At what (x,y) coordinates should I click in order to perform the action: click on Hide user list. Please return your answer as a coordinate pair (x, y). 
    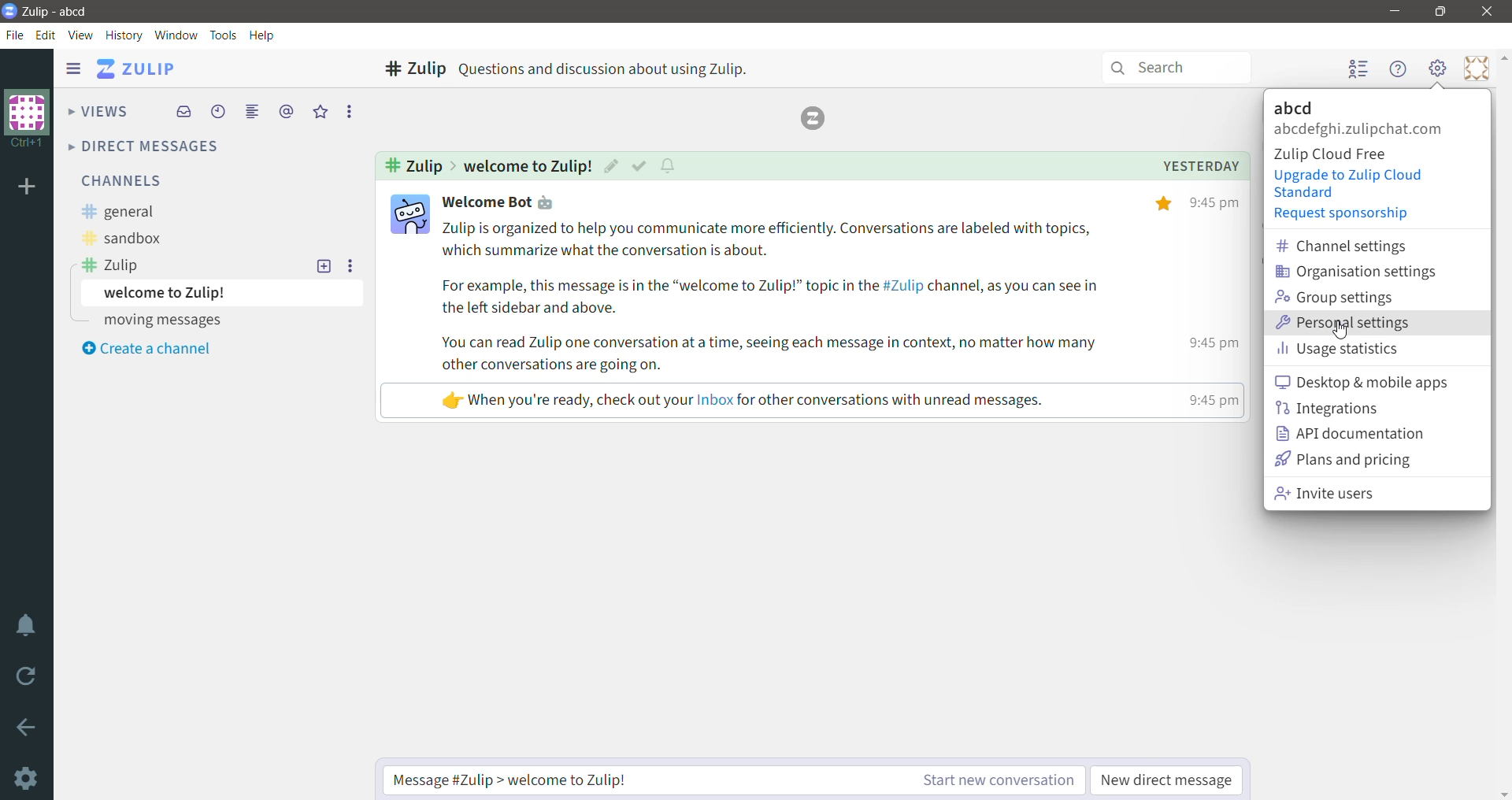
    Looking at the image, I should click on (1358, 70).